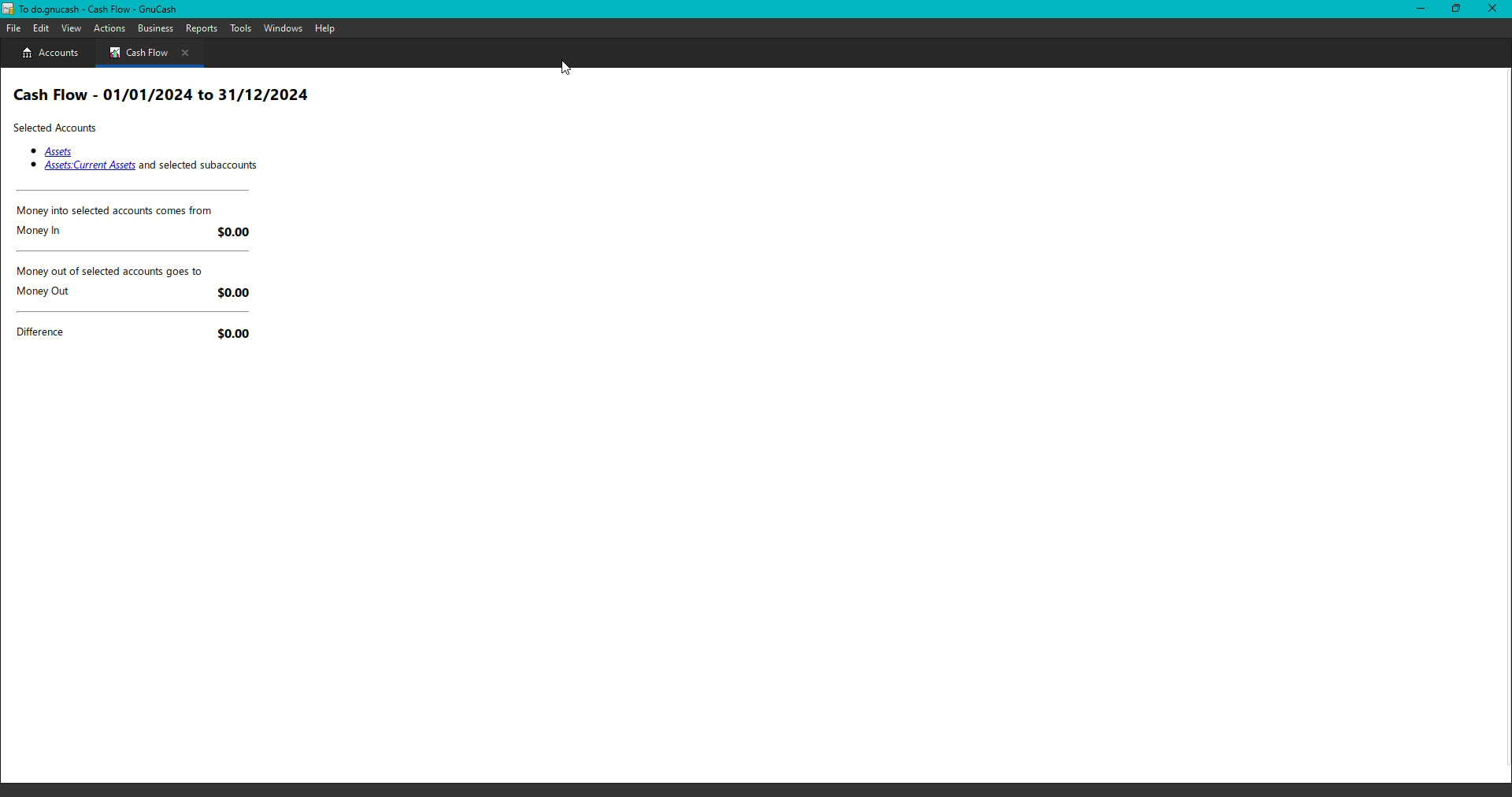 Image resolution: width=1512 pixels, height=797 pixels. Describe the element at coordinates (110, 27) in the screenshot. I see `Actions` at that location.